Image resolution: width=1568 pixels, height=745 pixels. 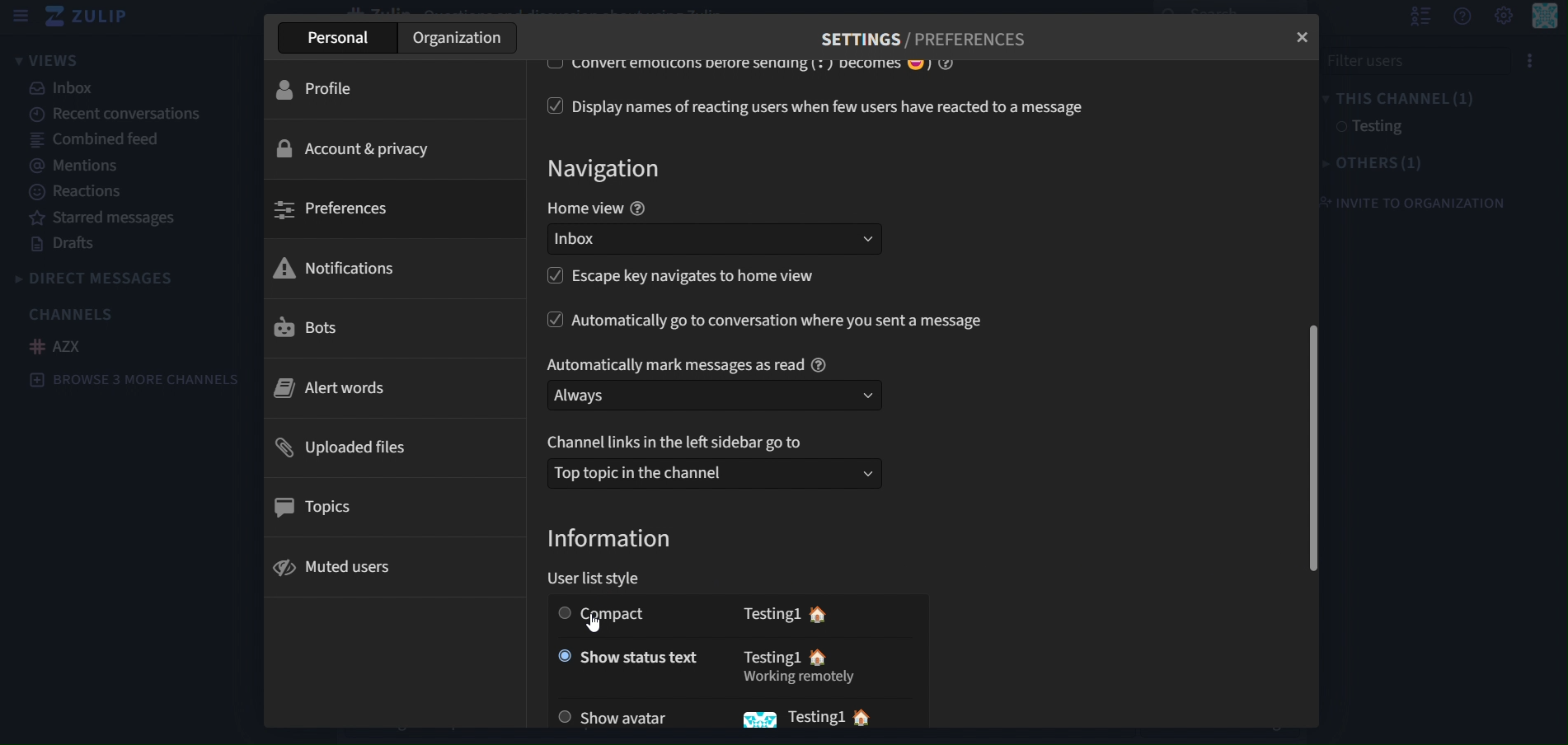 What do you see at coordinates (73, 315) in the screenshot?
I see `channels` at bounding box center [73, 315].